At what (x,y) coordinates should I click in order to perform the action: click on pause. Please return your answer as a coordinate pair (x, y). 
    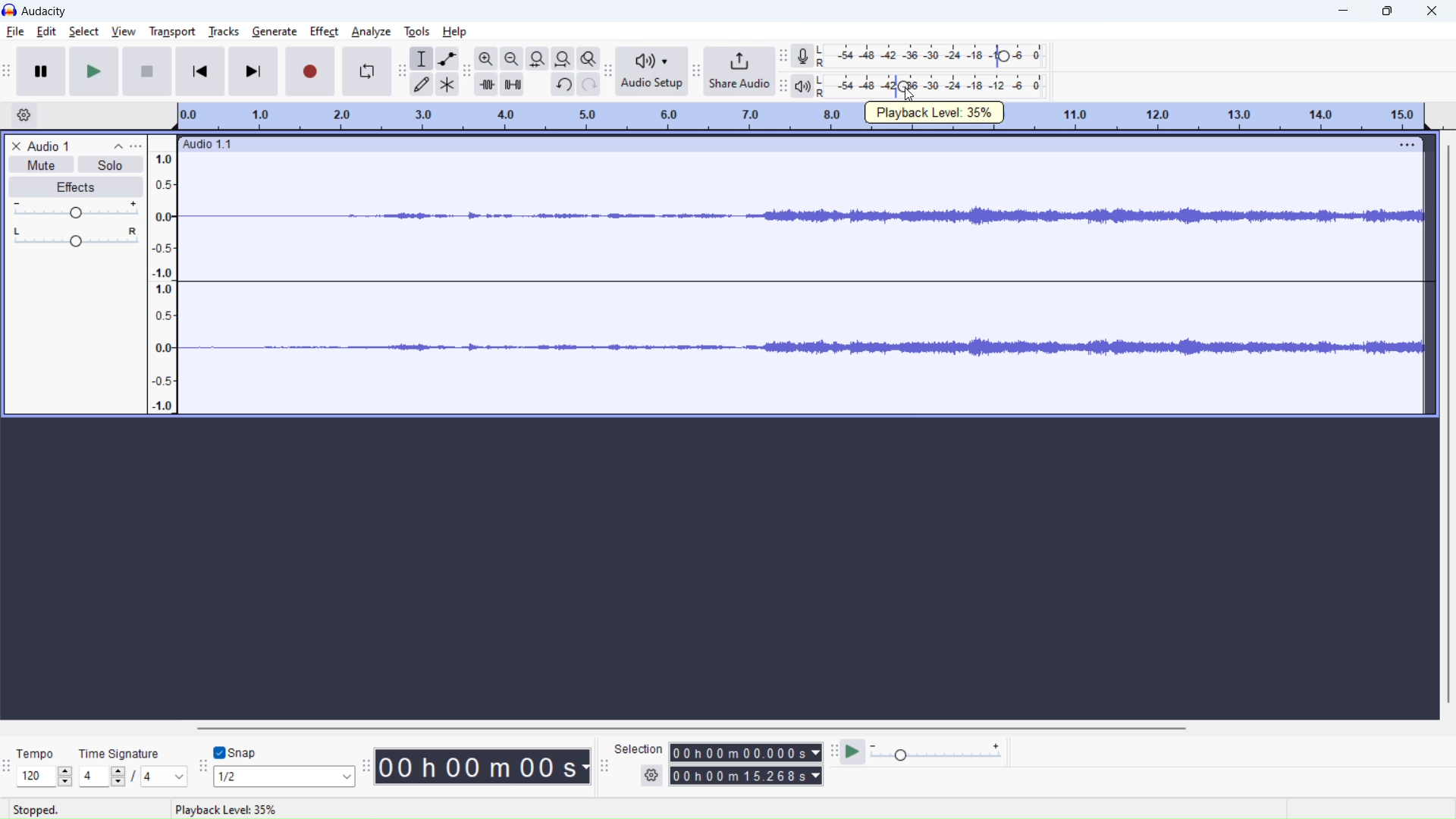
    Looking at the image, I should click on (41, 71).